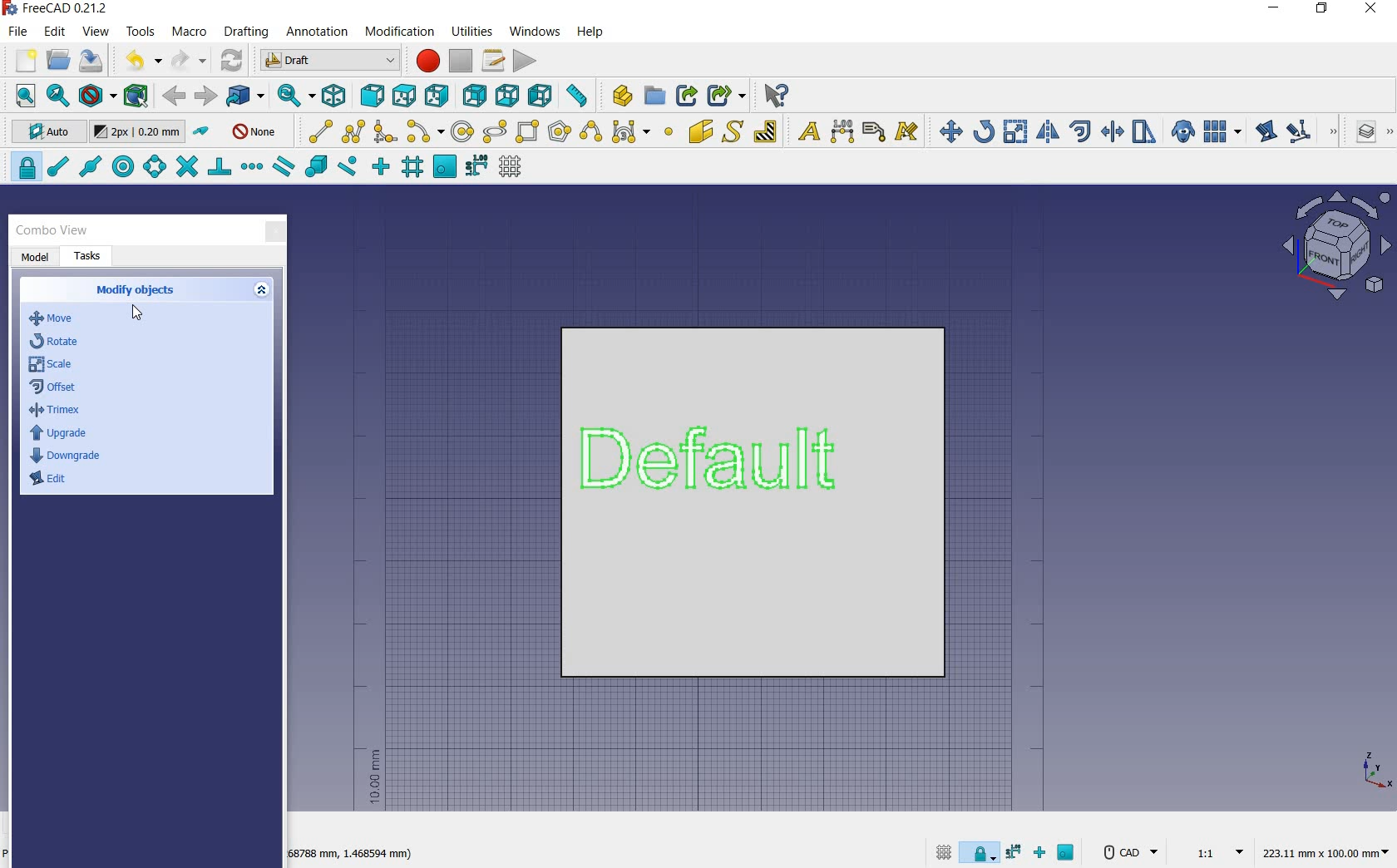 This screenshot has height=868, width=1397. What do you see at coordinates (1311, 131) in the screenshot?
I see `subelement highlight` at bounding box center [1311, 131].